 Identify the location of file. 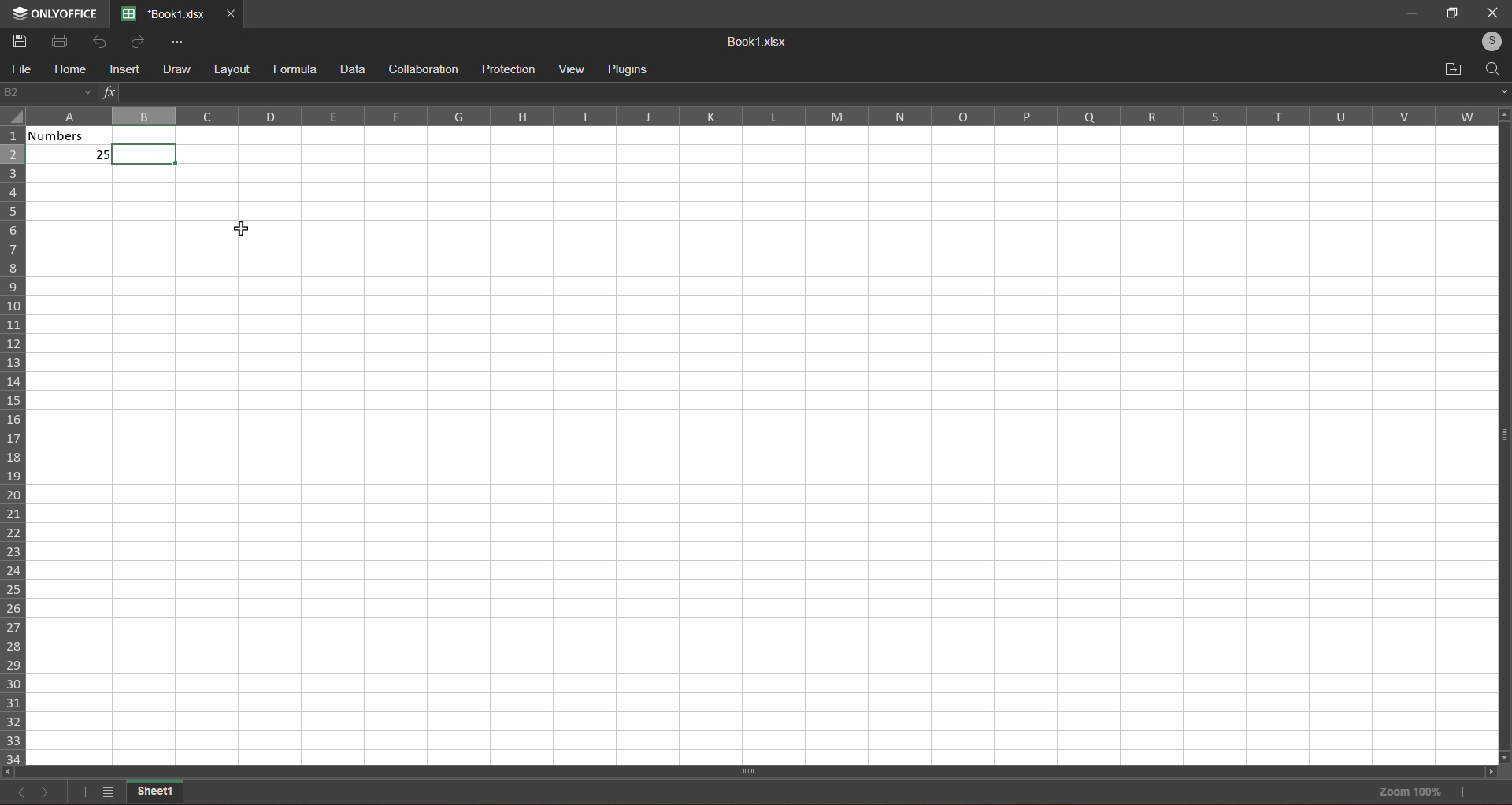
(20, 70).